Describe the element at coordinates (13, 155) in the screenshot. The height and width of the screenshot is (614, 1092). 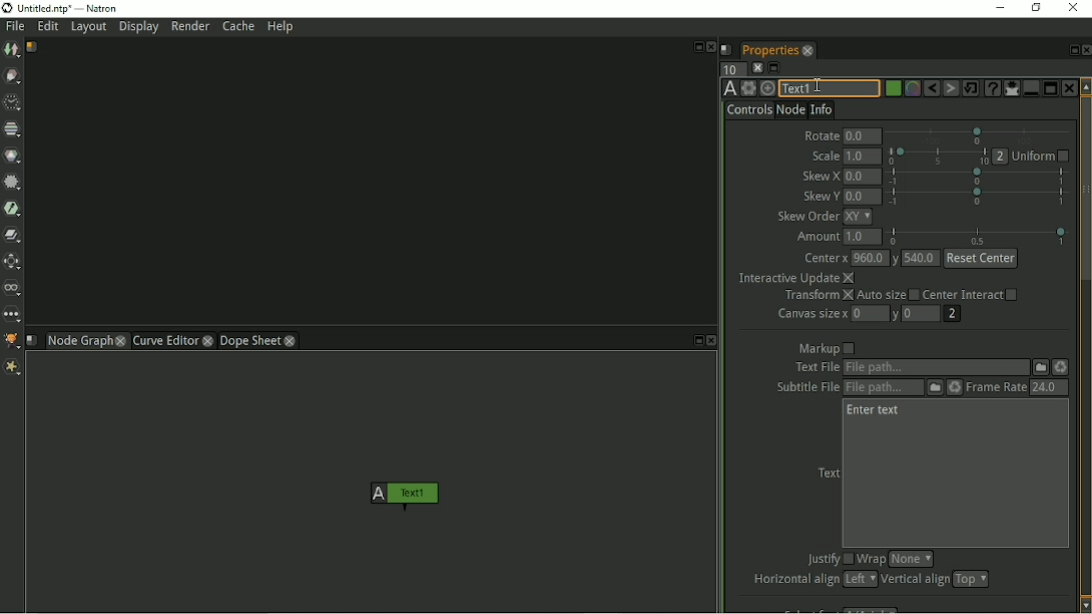
I see `Color` at that location.